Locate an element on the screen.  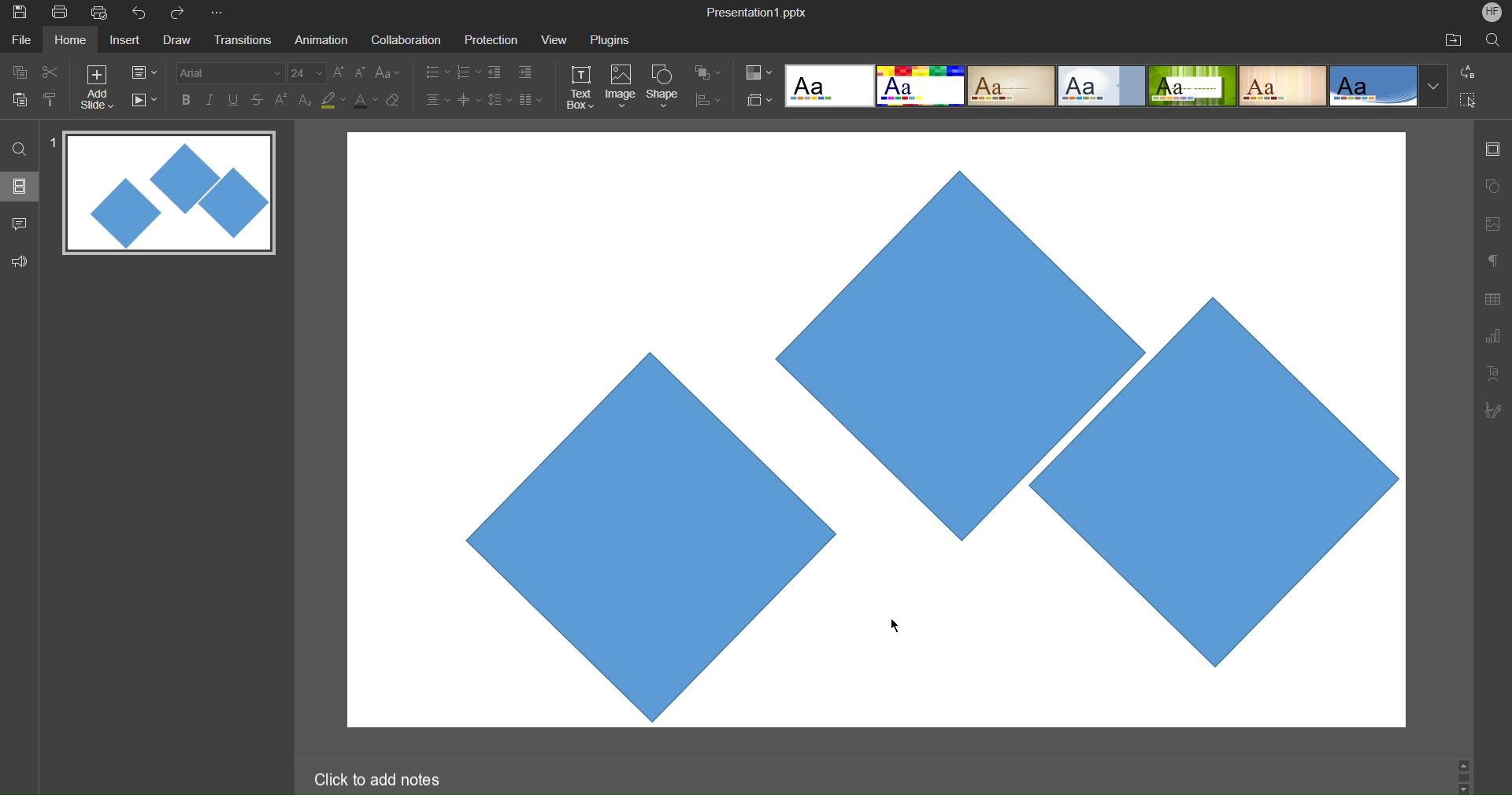
Undo is located at coordinates (143, 13).